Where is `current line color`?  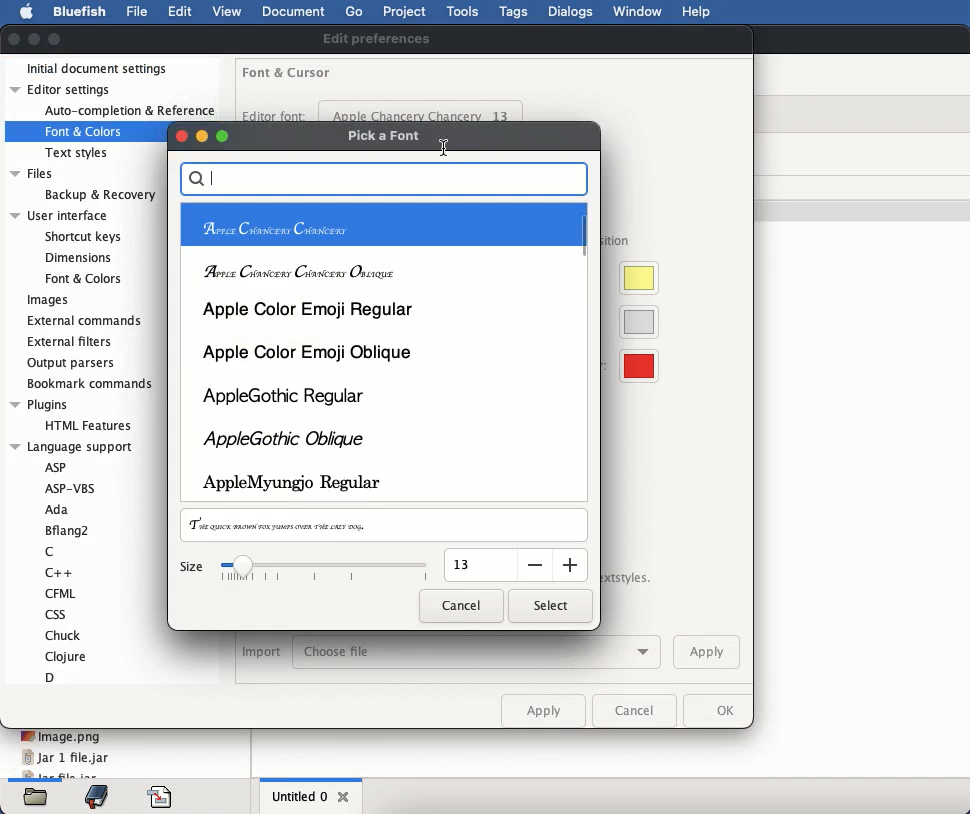
current line color is located at coordinates (635, 323).